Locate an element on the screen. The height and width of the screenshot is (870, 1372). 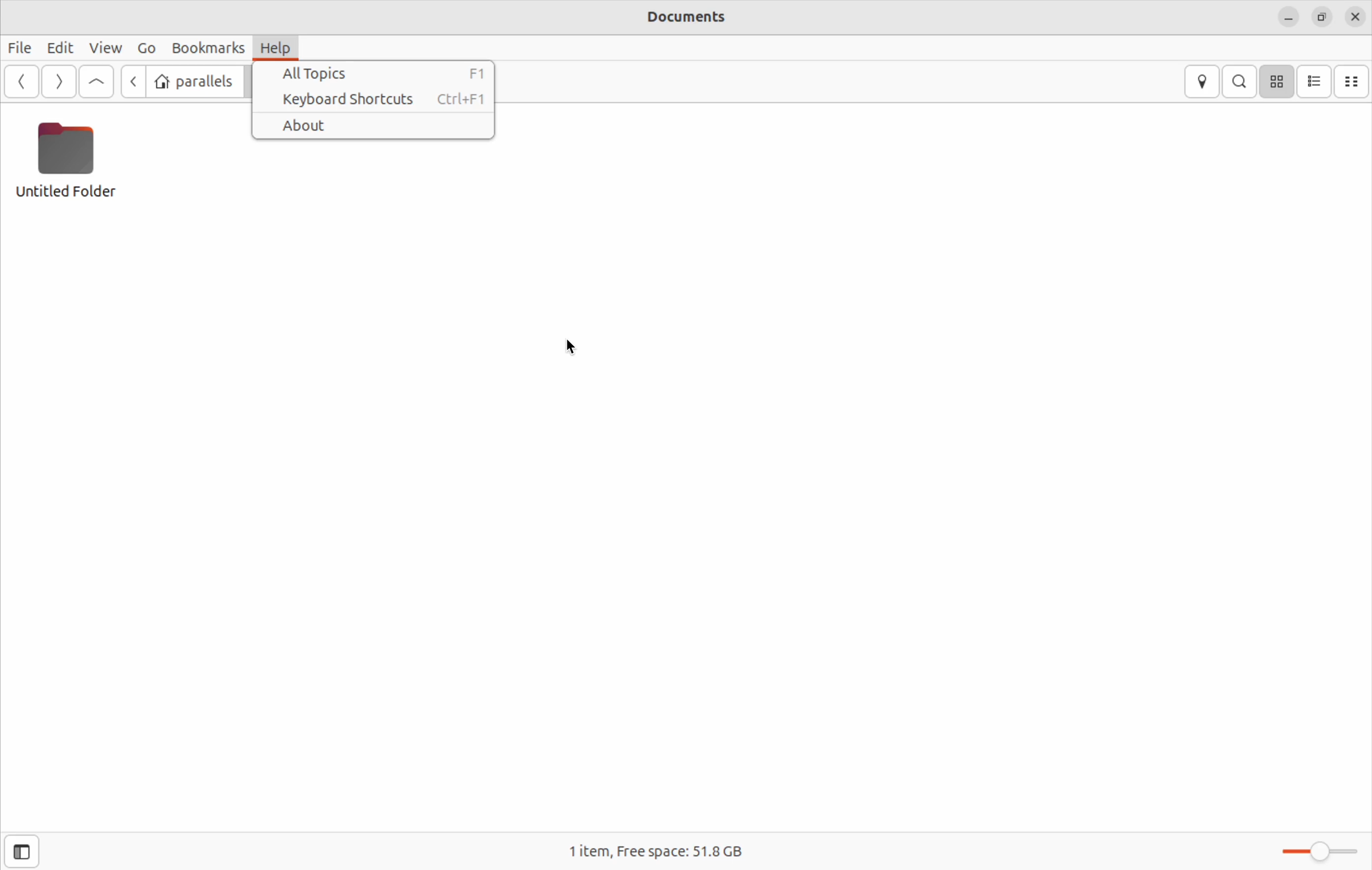
list view is located at coordinates (1317, 81).